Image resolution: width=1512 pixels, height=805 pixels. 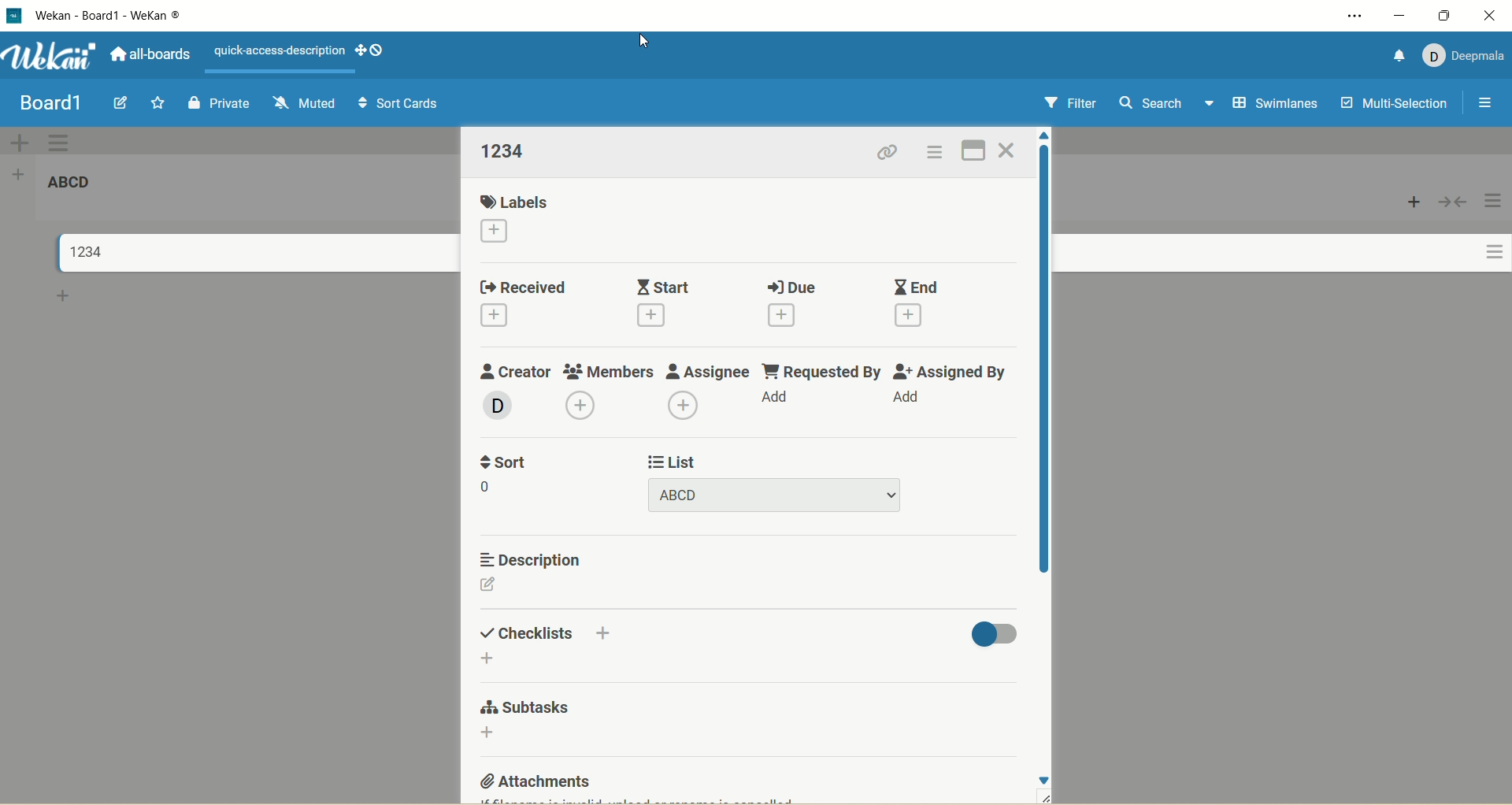 I want to click on settings and more, so click(x=1358, y=16).